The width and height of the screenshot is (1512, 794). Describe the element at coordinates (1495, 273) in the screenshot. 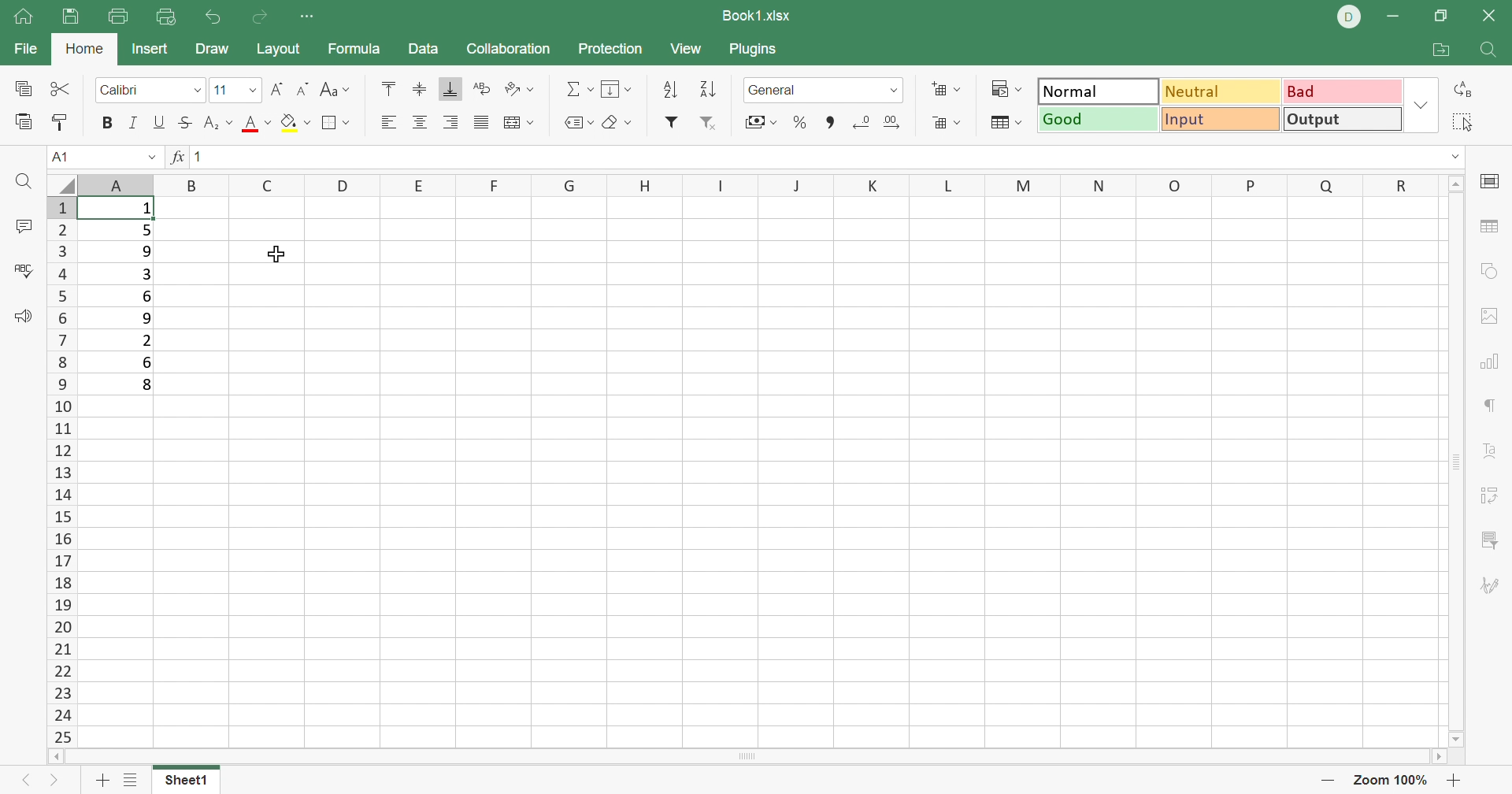

I see `shape settings` at that location.